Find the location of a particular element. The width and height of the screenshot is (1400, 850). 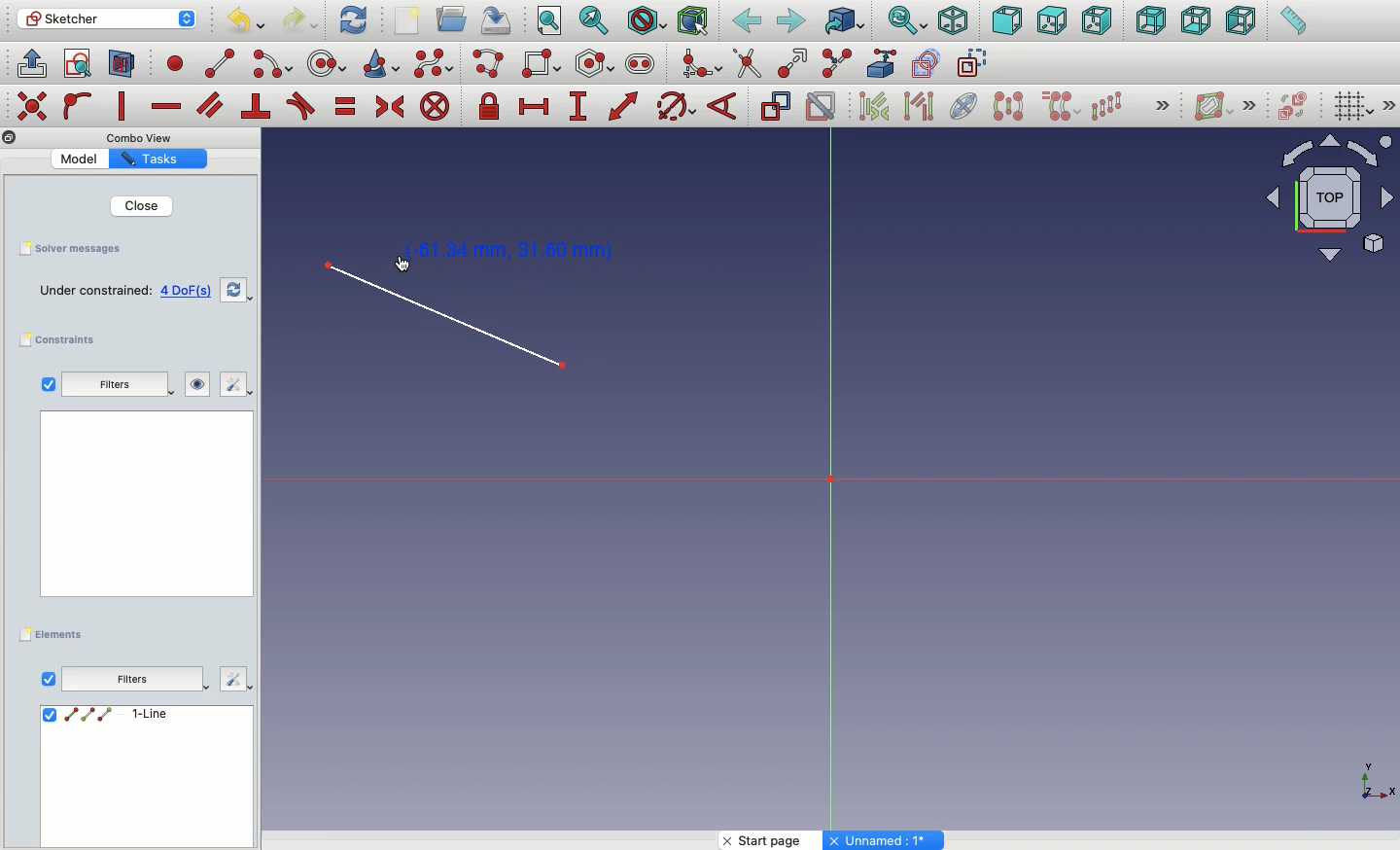

Axis is located at coordinates (831, 485).